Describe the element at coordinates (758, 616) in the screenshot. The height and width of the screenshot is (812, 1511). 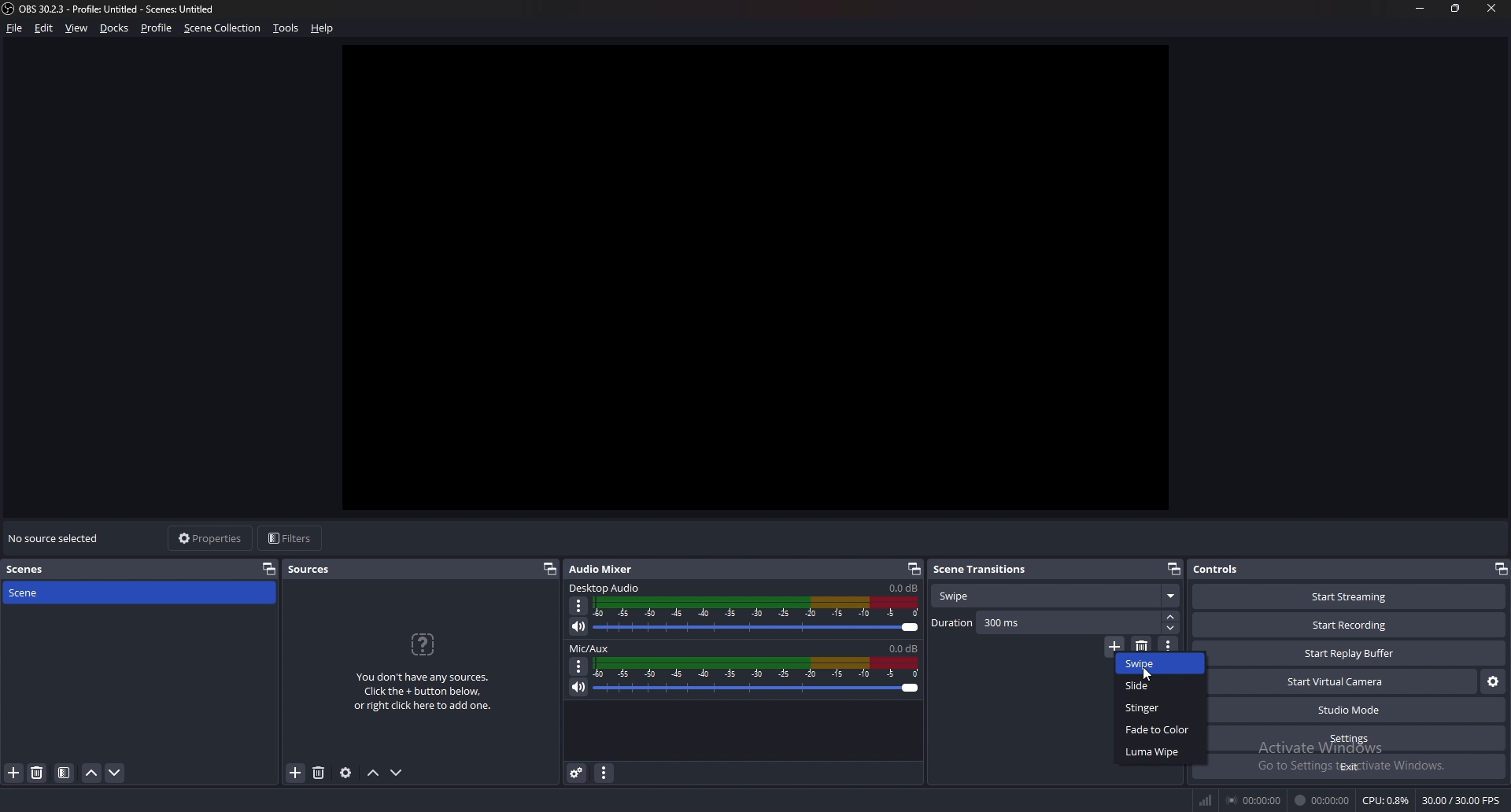
I see `volume adjust` at that location.